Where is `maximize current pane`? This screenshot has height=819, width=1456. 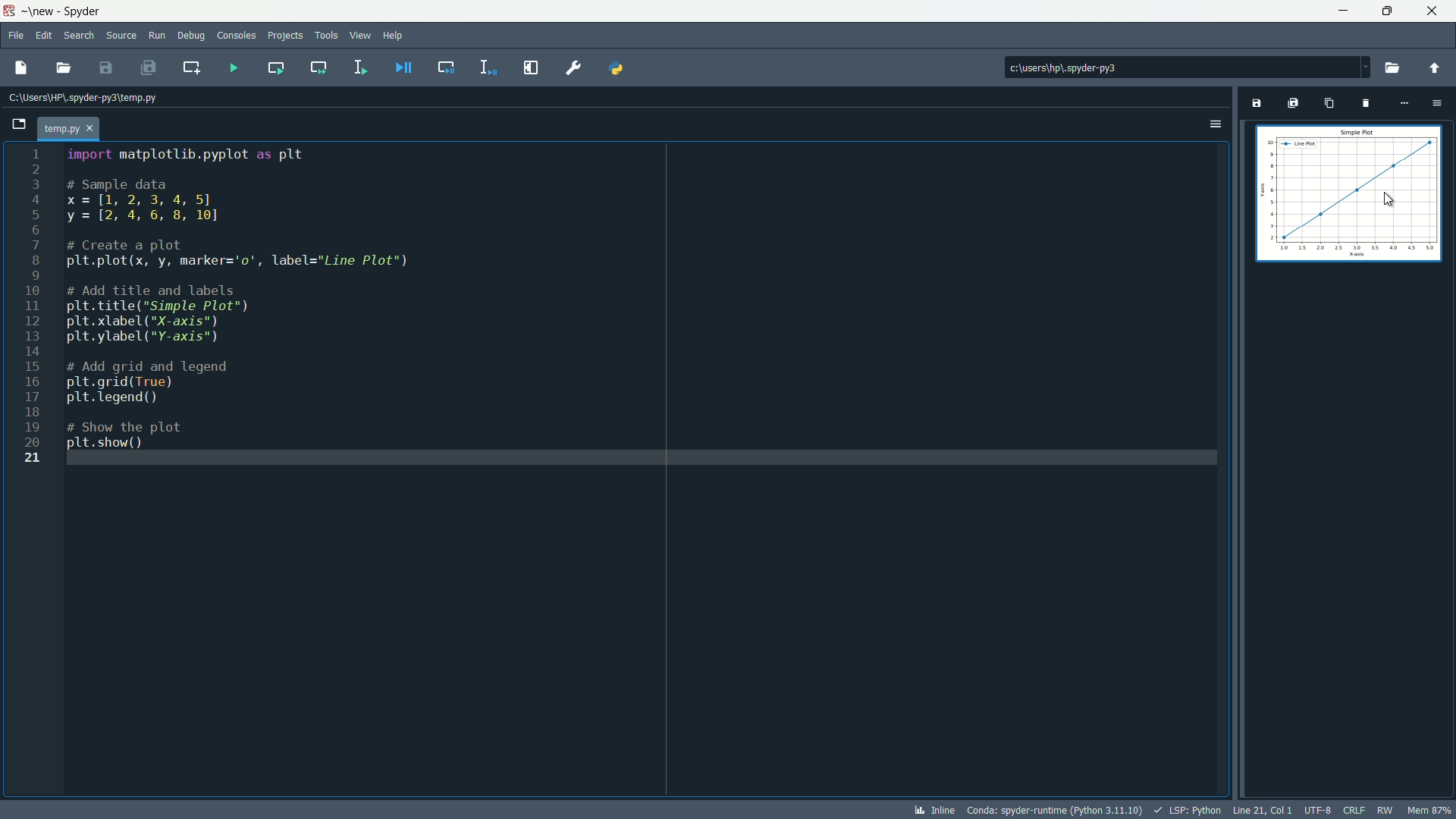
maximize current pane is located at coordinates (530, 67).